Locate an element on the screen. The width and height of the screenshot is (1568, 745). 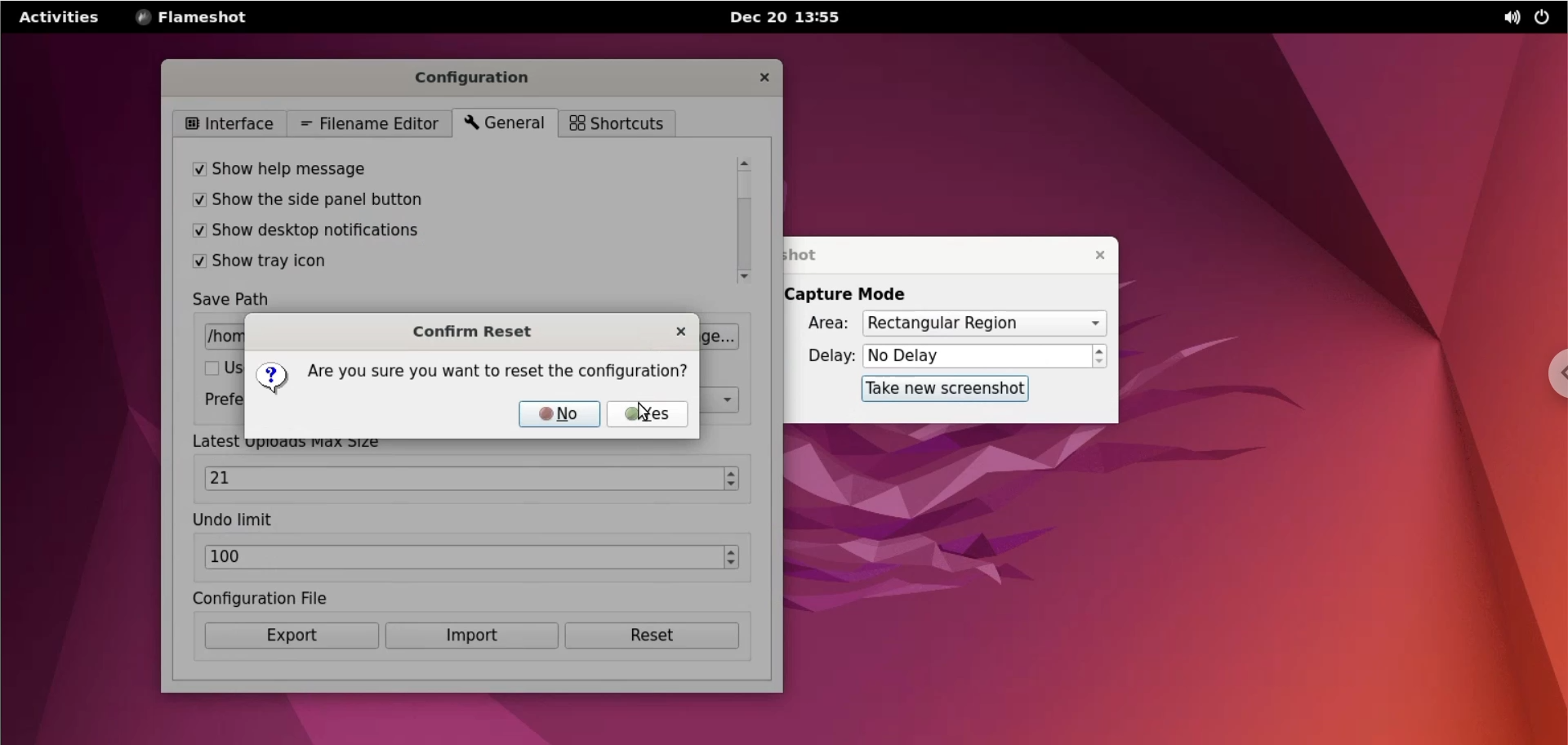
show help message checkbox is located at coordinates (450, 169).